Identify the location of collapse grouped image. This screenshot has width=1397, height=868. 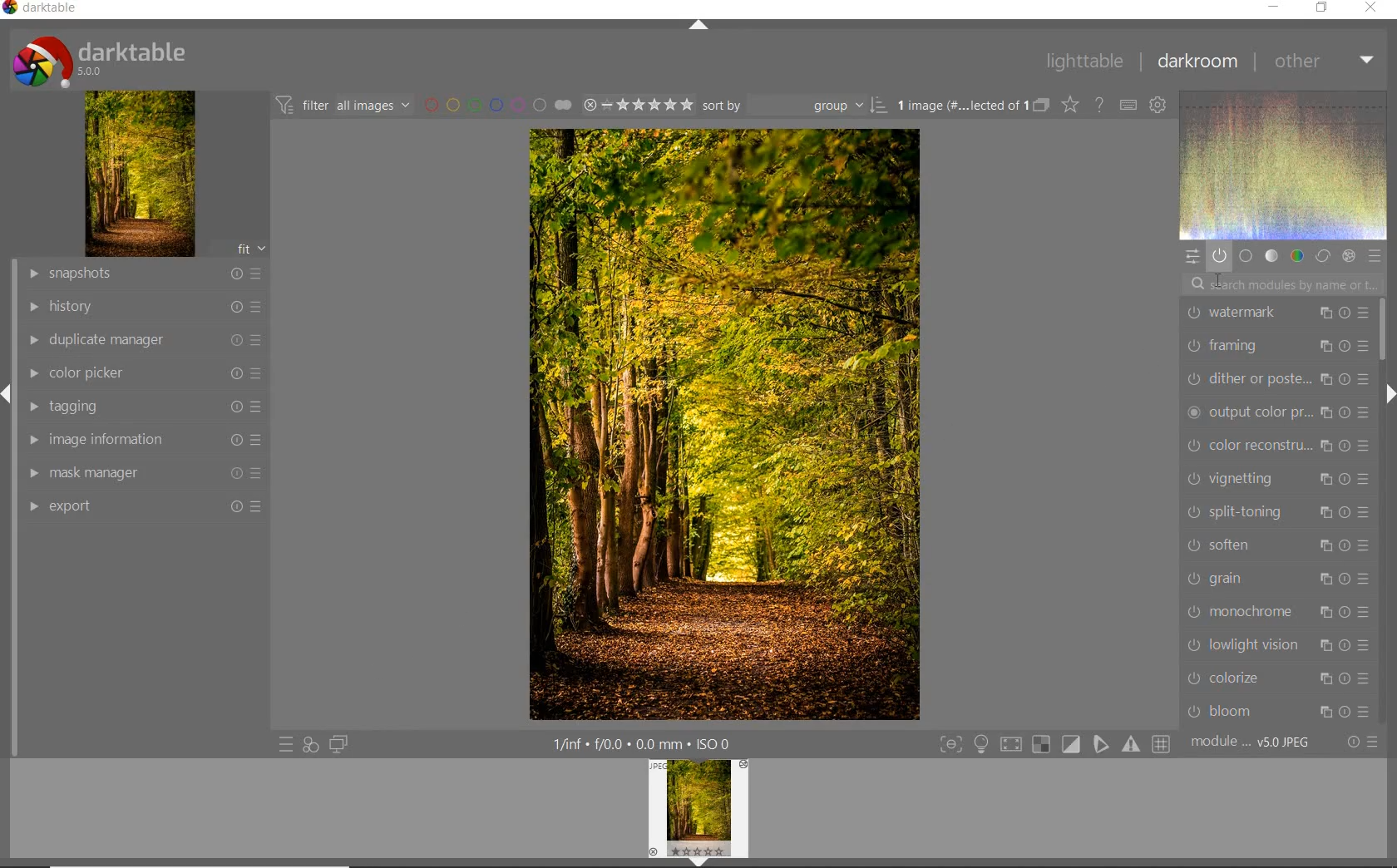
(1041, 106).